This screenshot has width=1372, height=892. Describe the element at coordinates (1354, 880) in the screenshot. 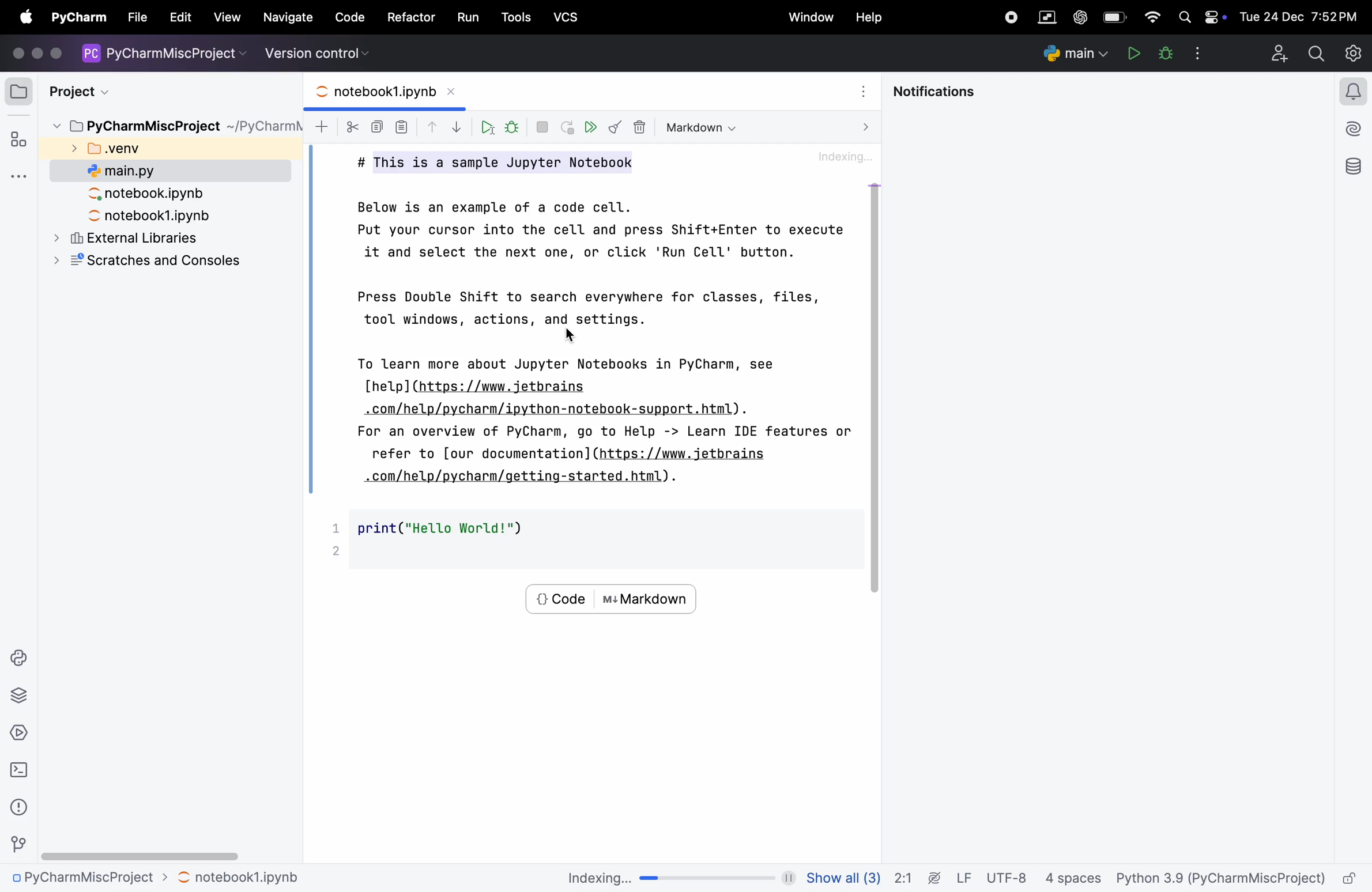

I see `lock` at that location.